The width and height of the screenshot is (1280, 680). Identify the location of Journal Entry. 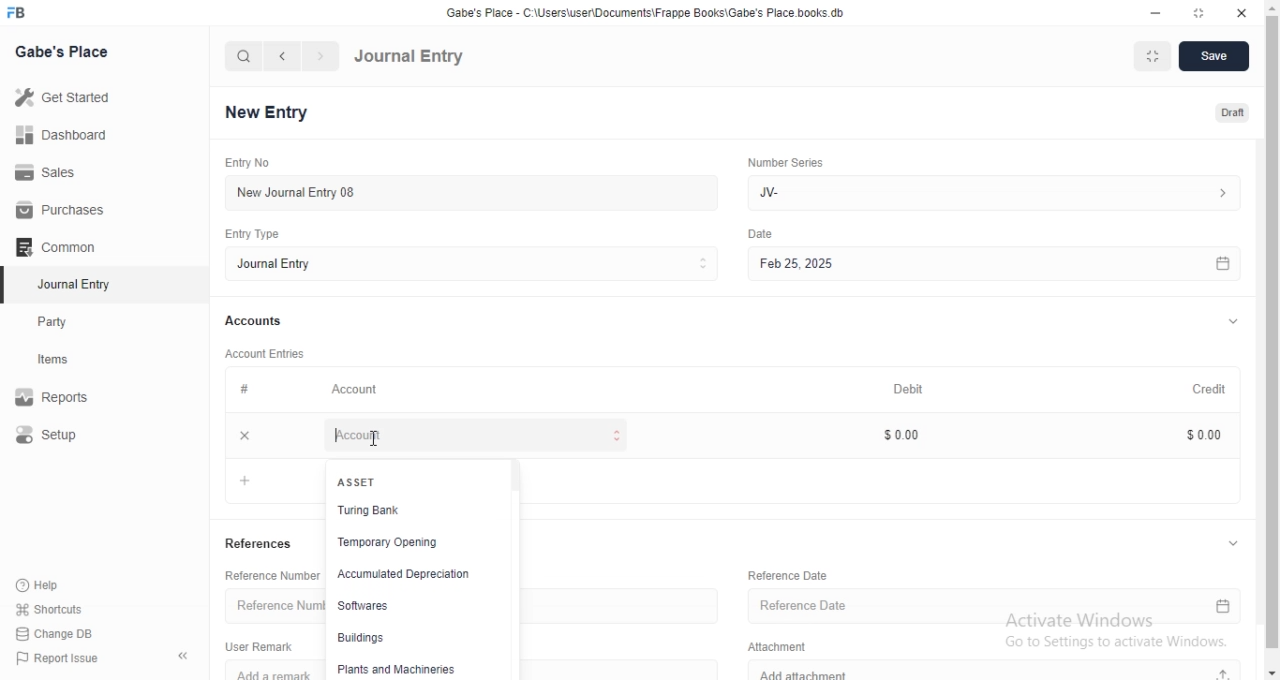
(474, 265).